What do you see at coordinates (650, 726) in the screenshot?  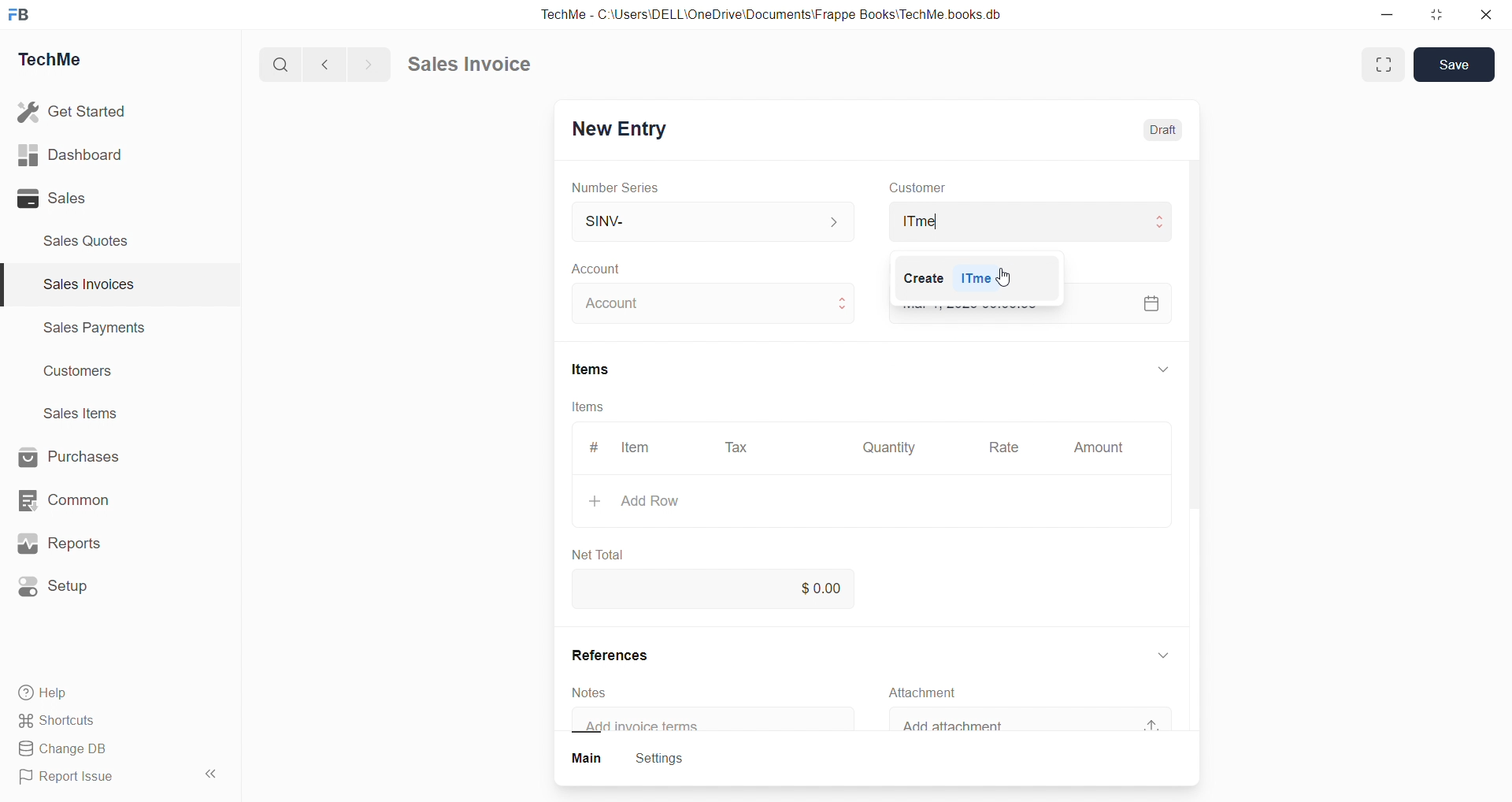 I see `__Add invoice terms` at bounding box center [650, 726].